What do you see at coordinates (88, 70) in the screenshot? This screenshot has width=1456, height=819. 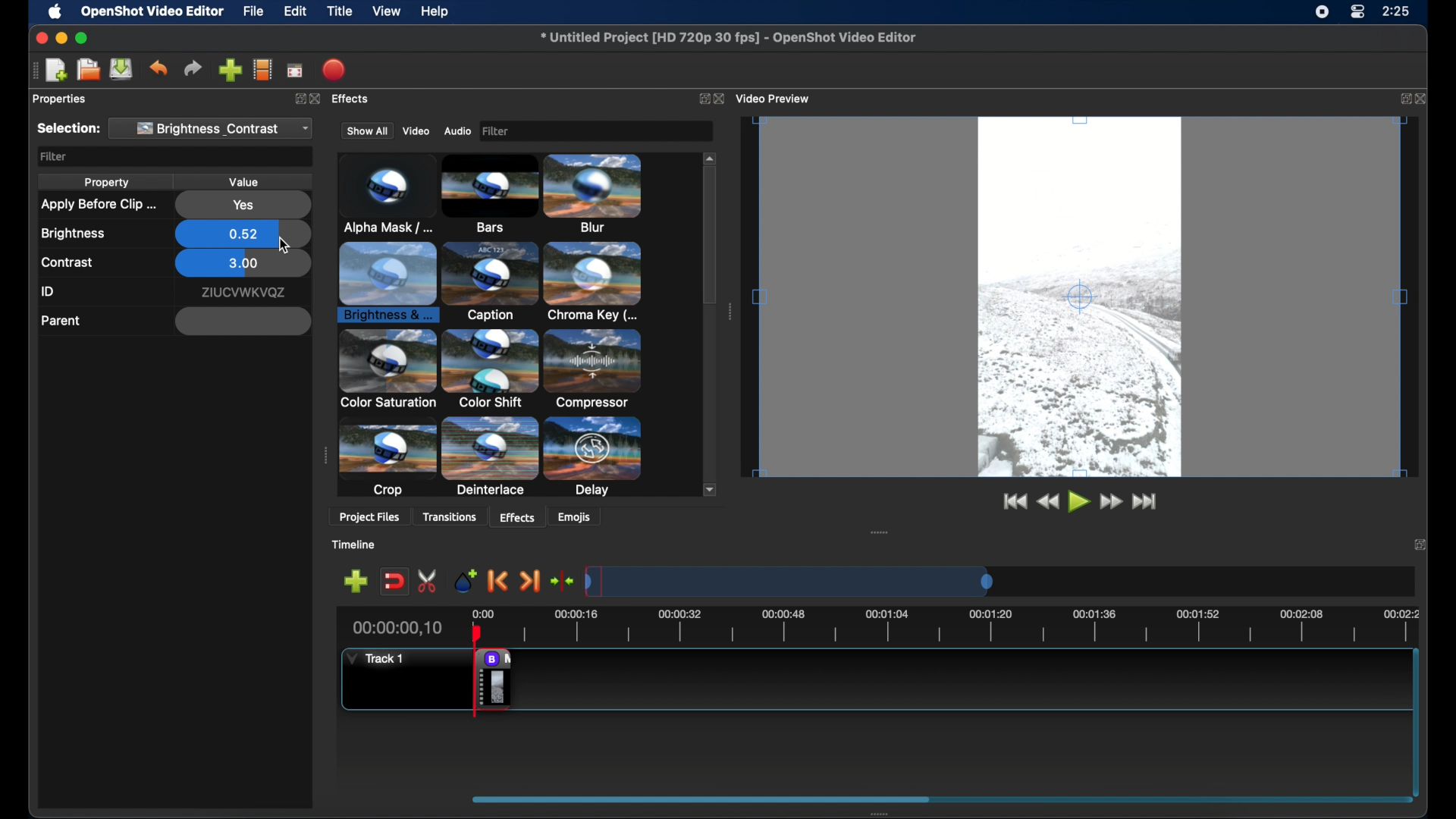 I see `open project` at bounding box center [88, 70].